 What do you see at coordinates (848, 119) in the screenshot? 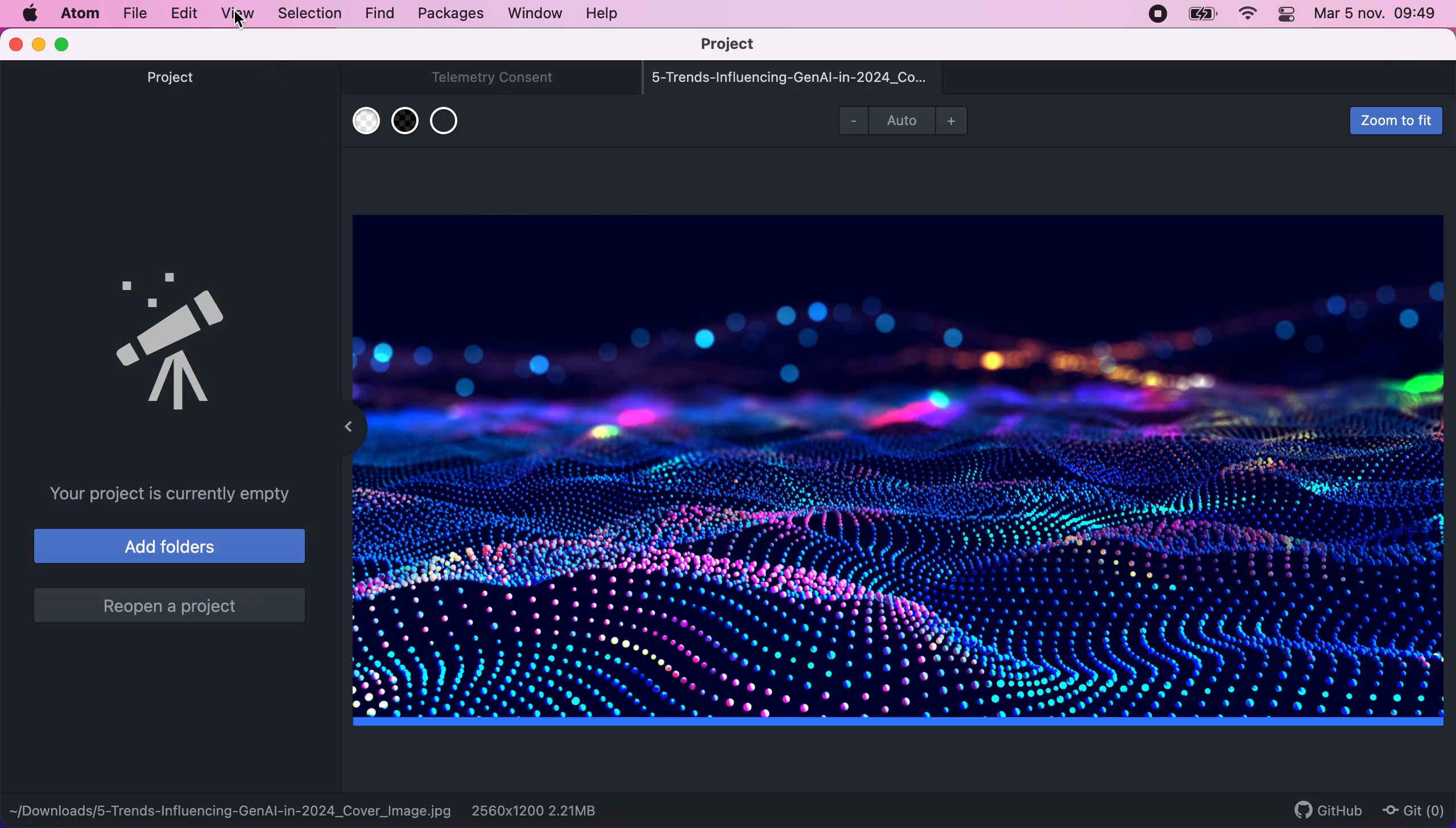
I see `zoom out` at bounding box center [848, 119].